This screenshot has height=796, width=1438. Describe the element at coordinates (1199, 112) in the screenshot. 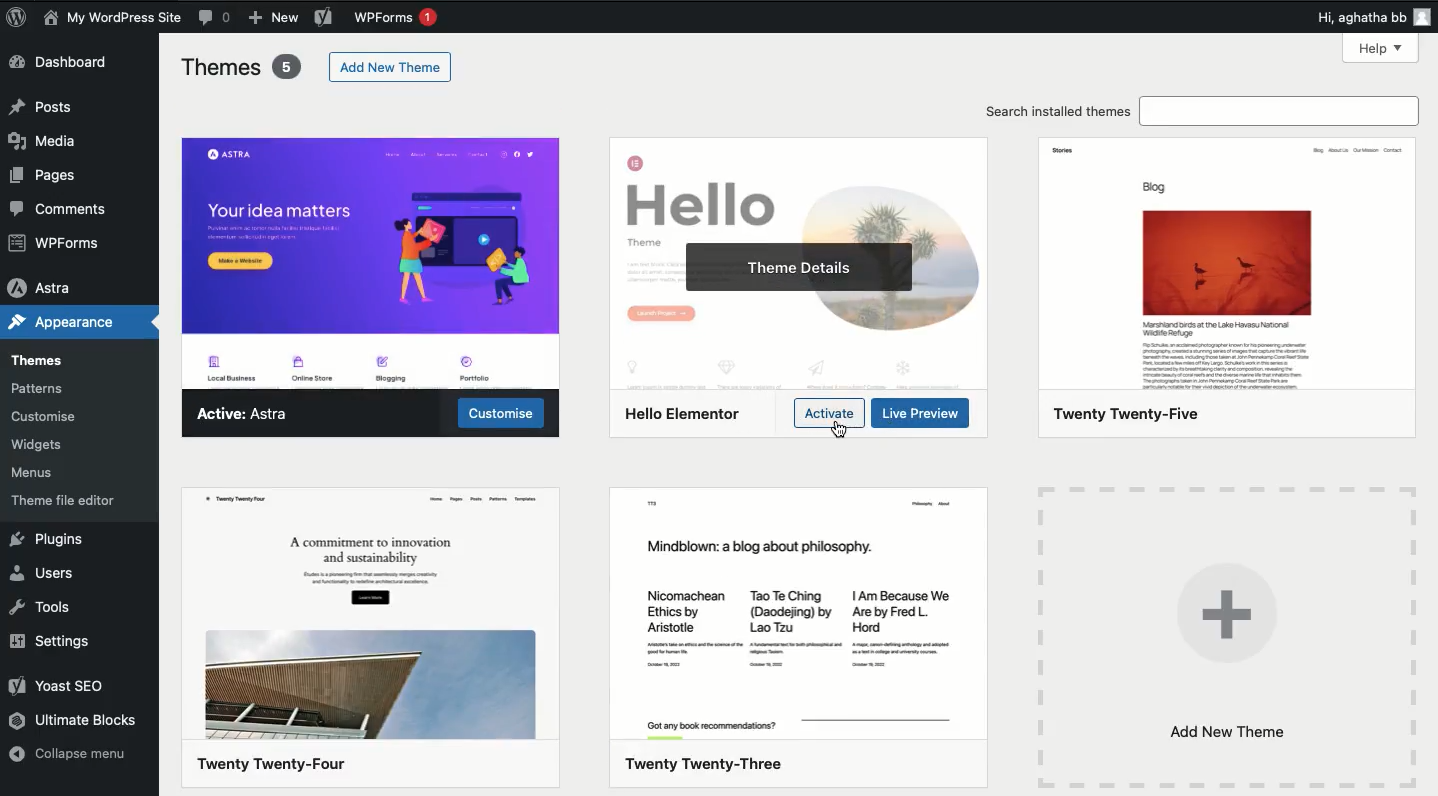

I see `Search installed themes` at that location.